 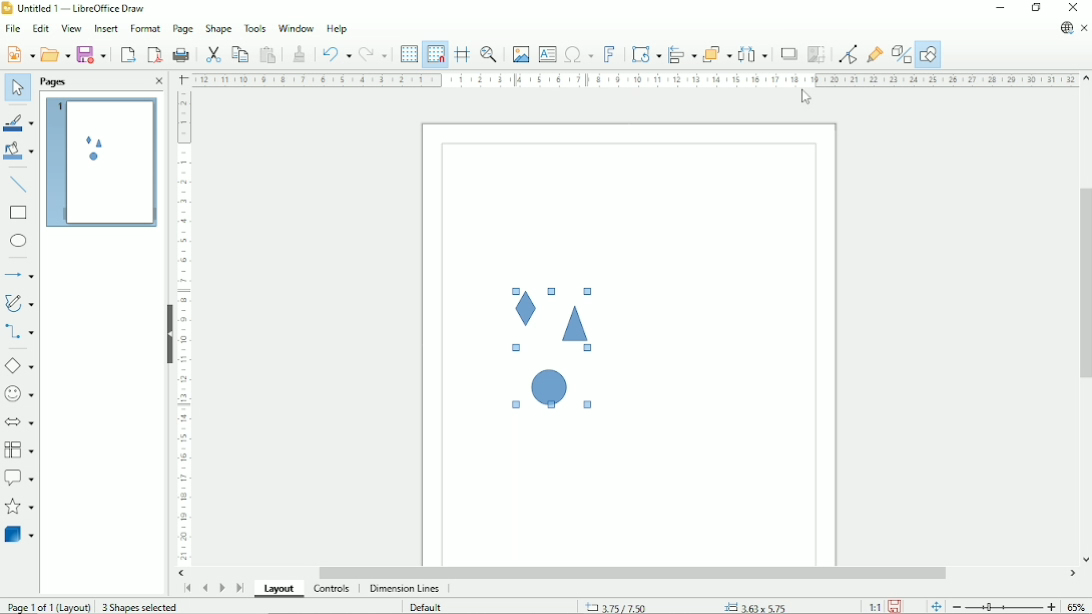 What do you see at coordinates (184, 328) in the screenshot?
I see `Vertical scale` at bounding box center [184, 328].